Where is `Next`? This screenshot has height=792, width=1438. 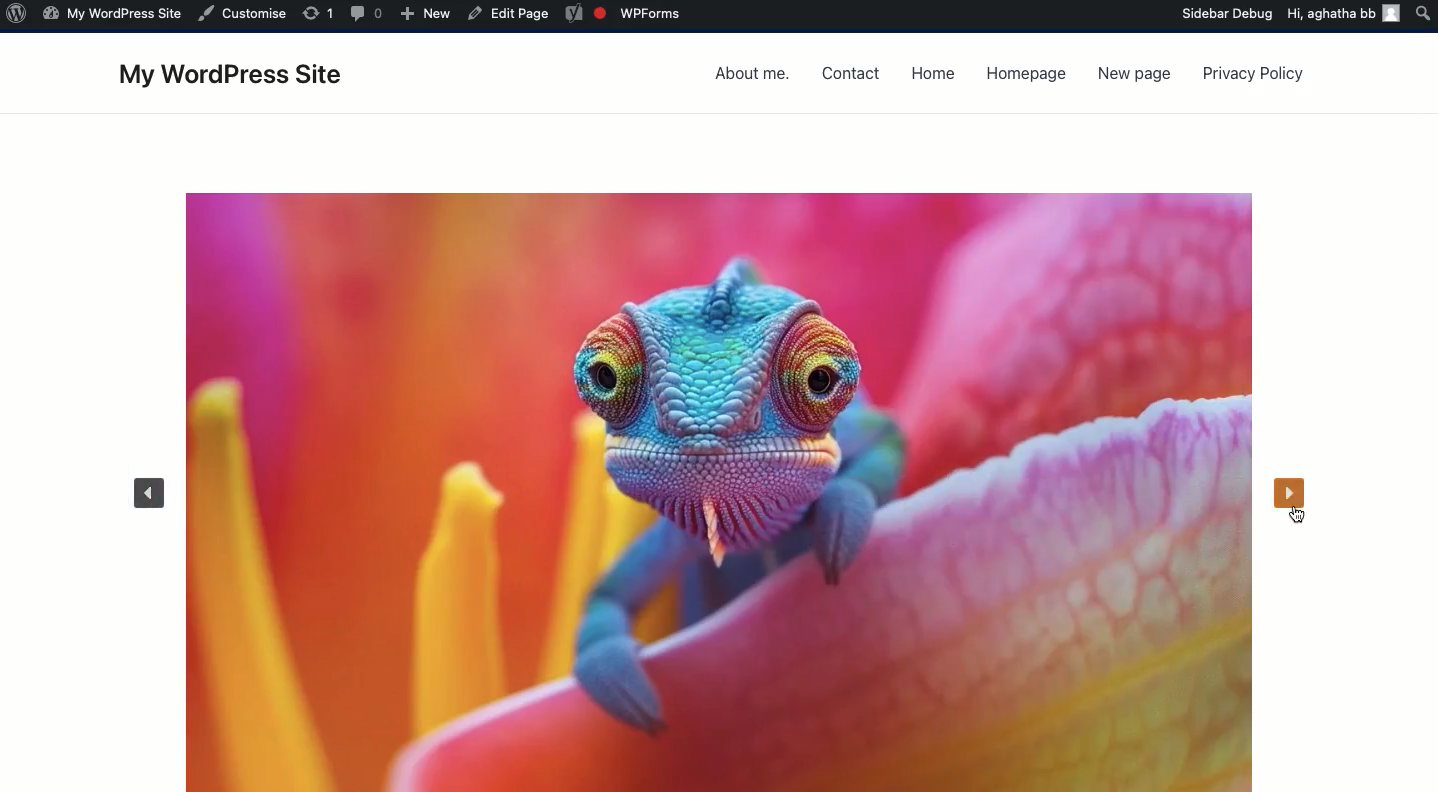 Next is located at coordinates (1293, 497).